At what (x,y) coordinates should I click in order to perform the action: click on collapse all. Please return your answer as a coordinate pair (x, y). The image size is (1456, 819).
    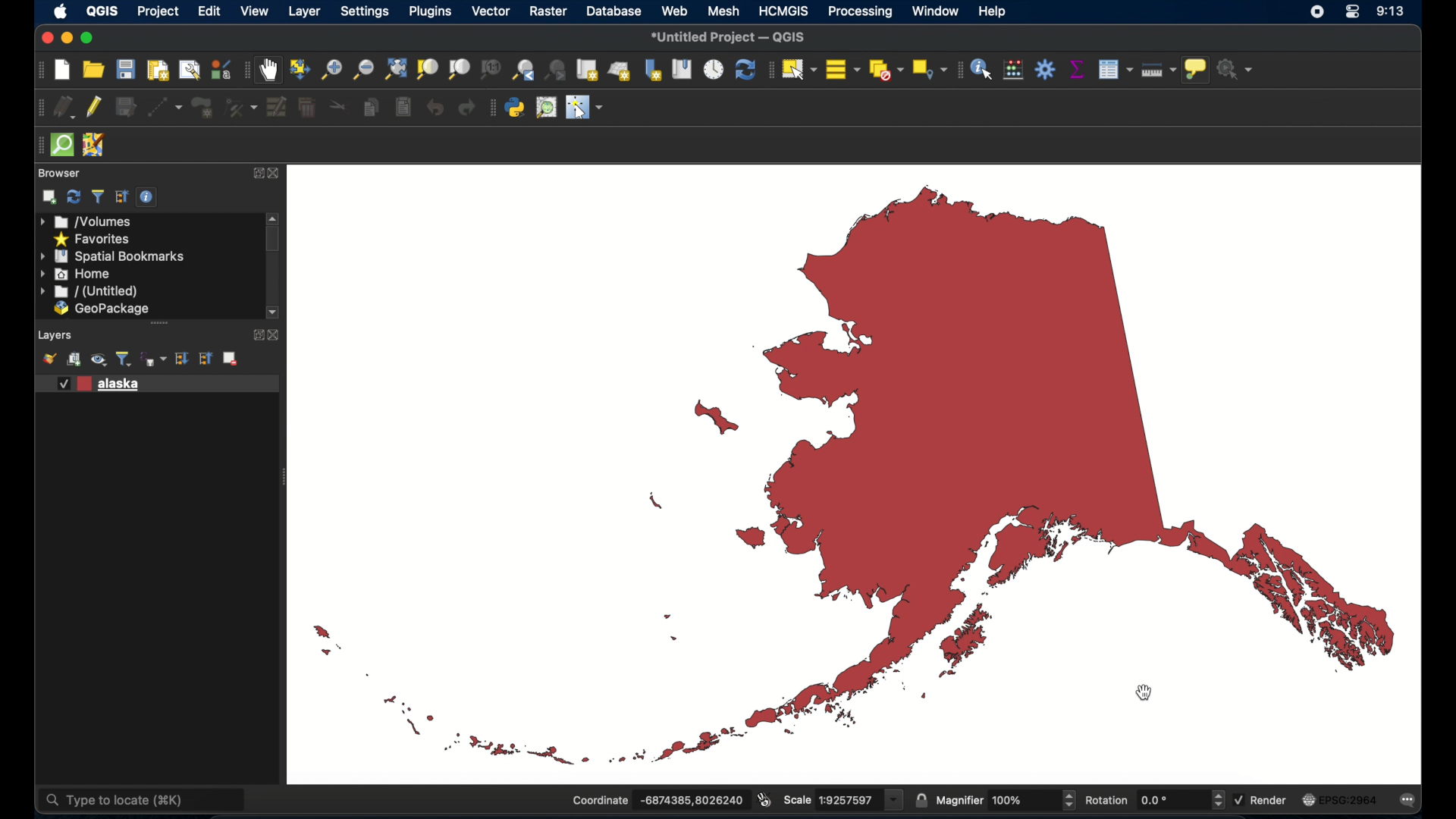
    Looking at the image, I should click on (122, 197).